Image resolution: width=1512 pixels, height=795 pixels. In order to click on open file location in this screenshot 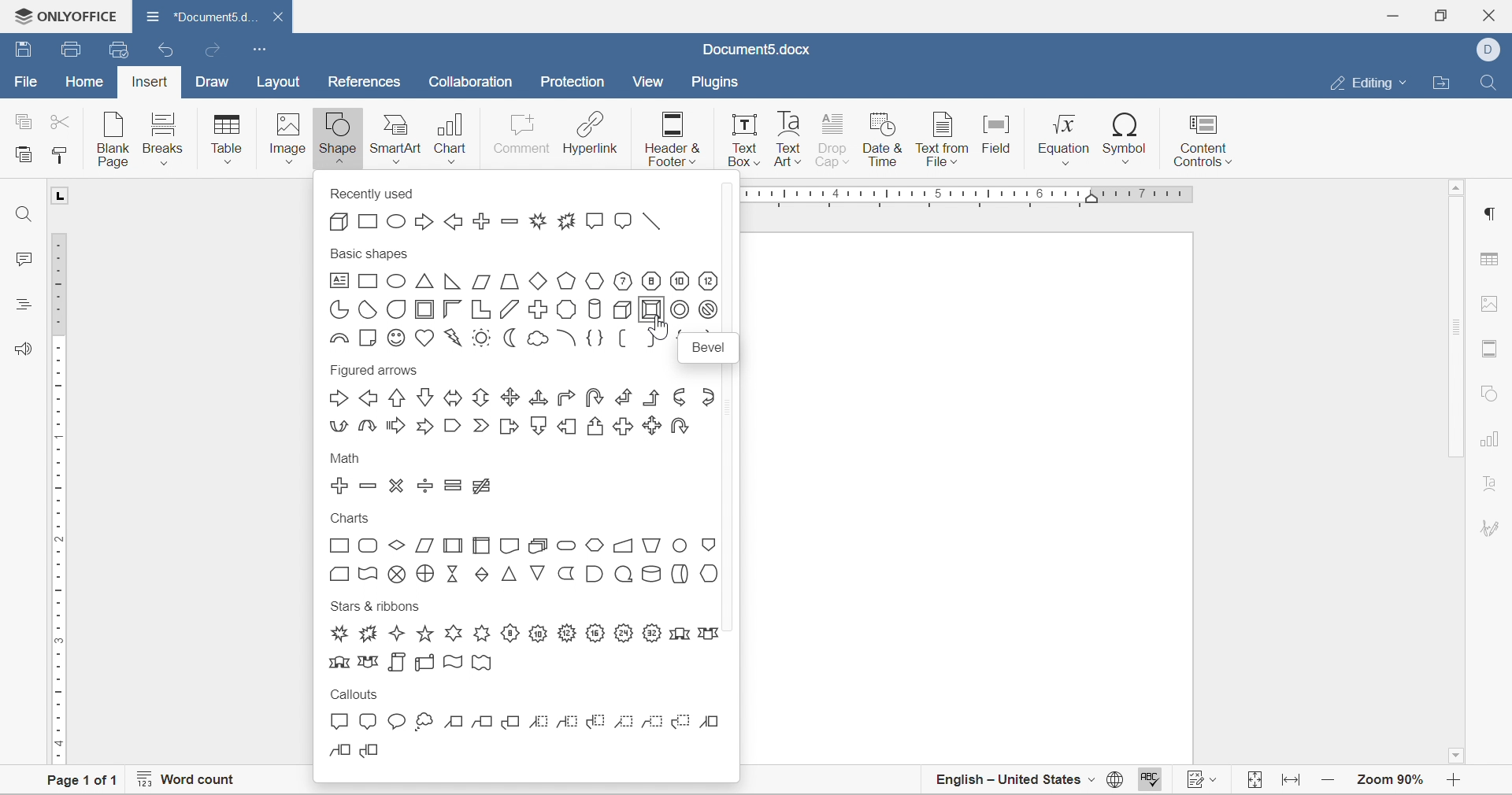, I will do `click(1441, 82)`.